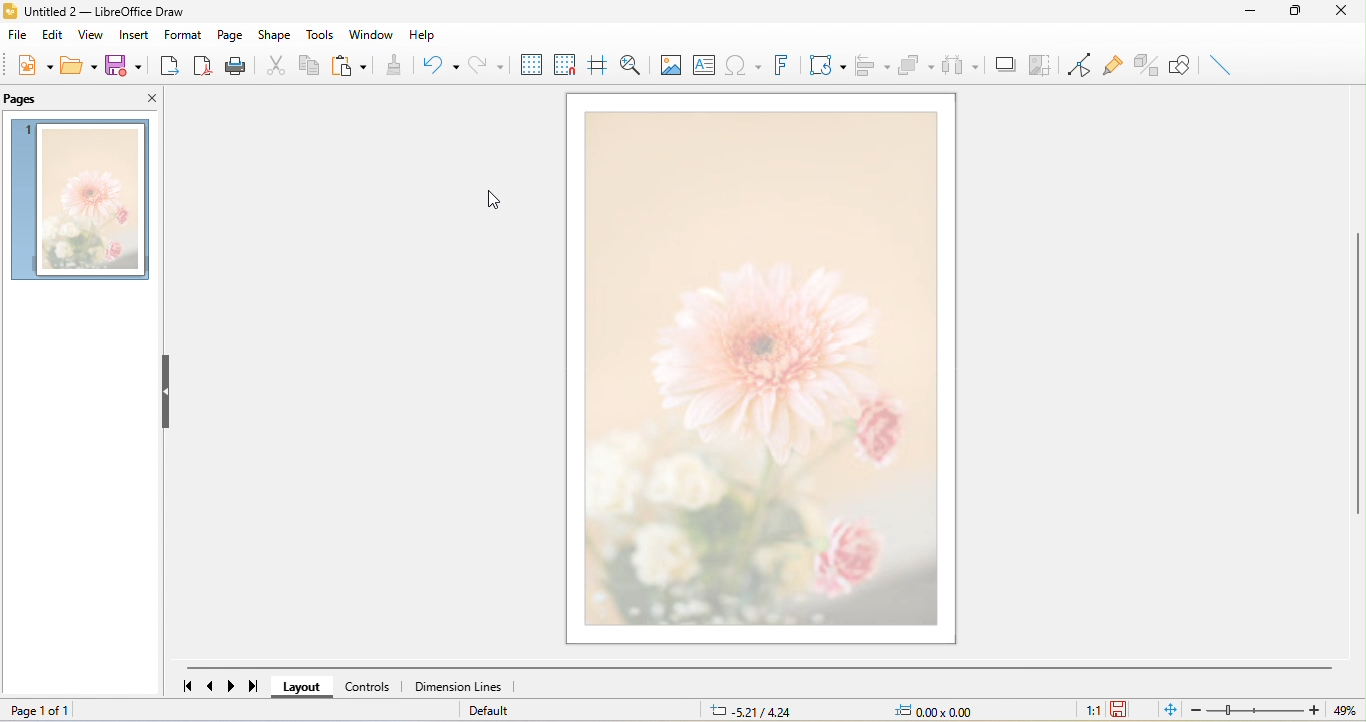  Describe the element at coordinates (1305, 13) in the screenshot. I see `maximize` at that location.